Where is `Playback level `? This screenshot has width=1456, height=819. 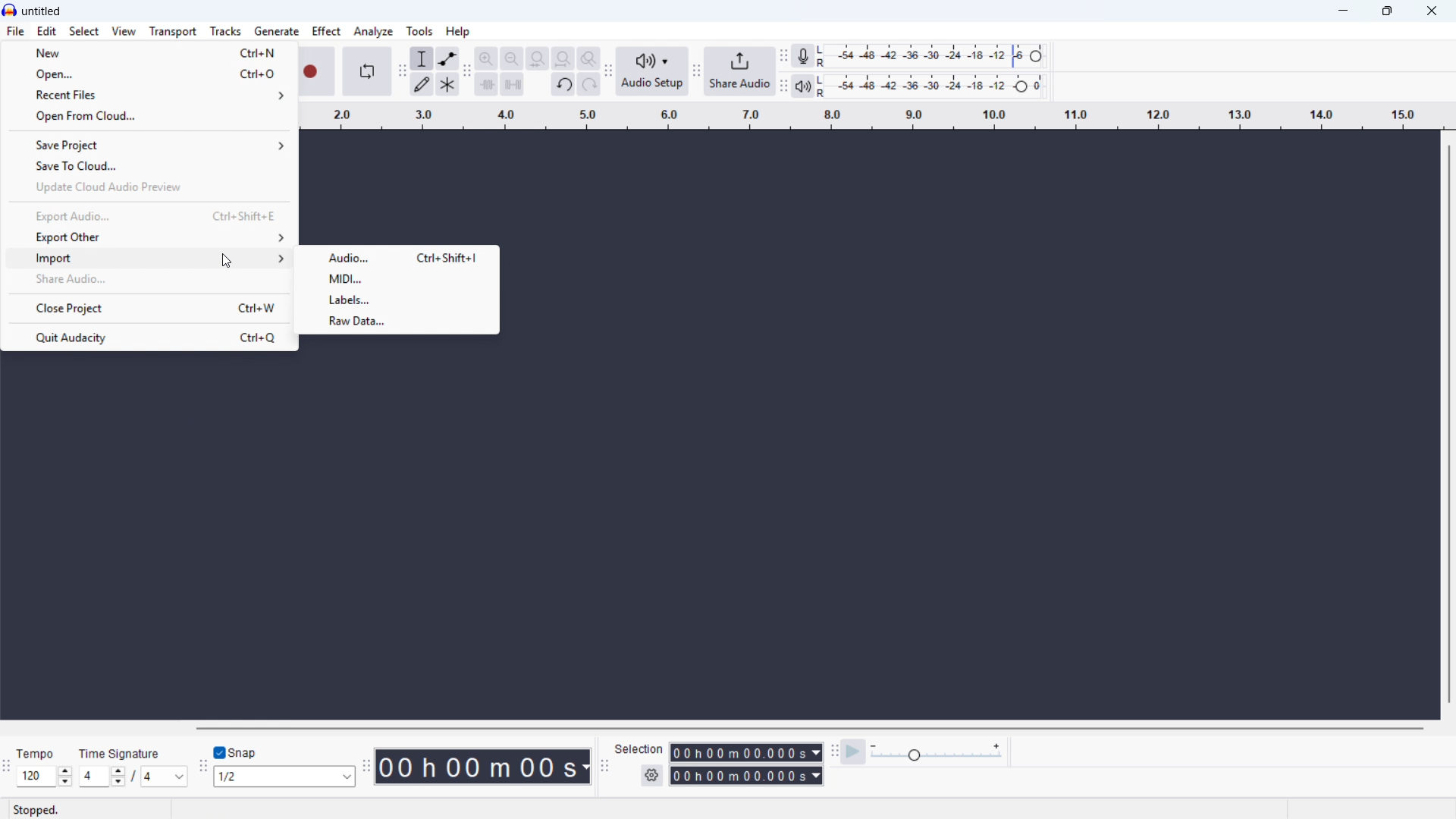
Playback level  is located at coordinates (934, 86).